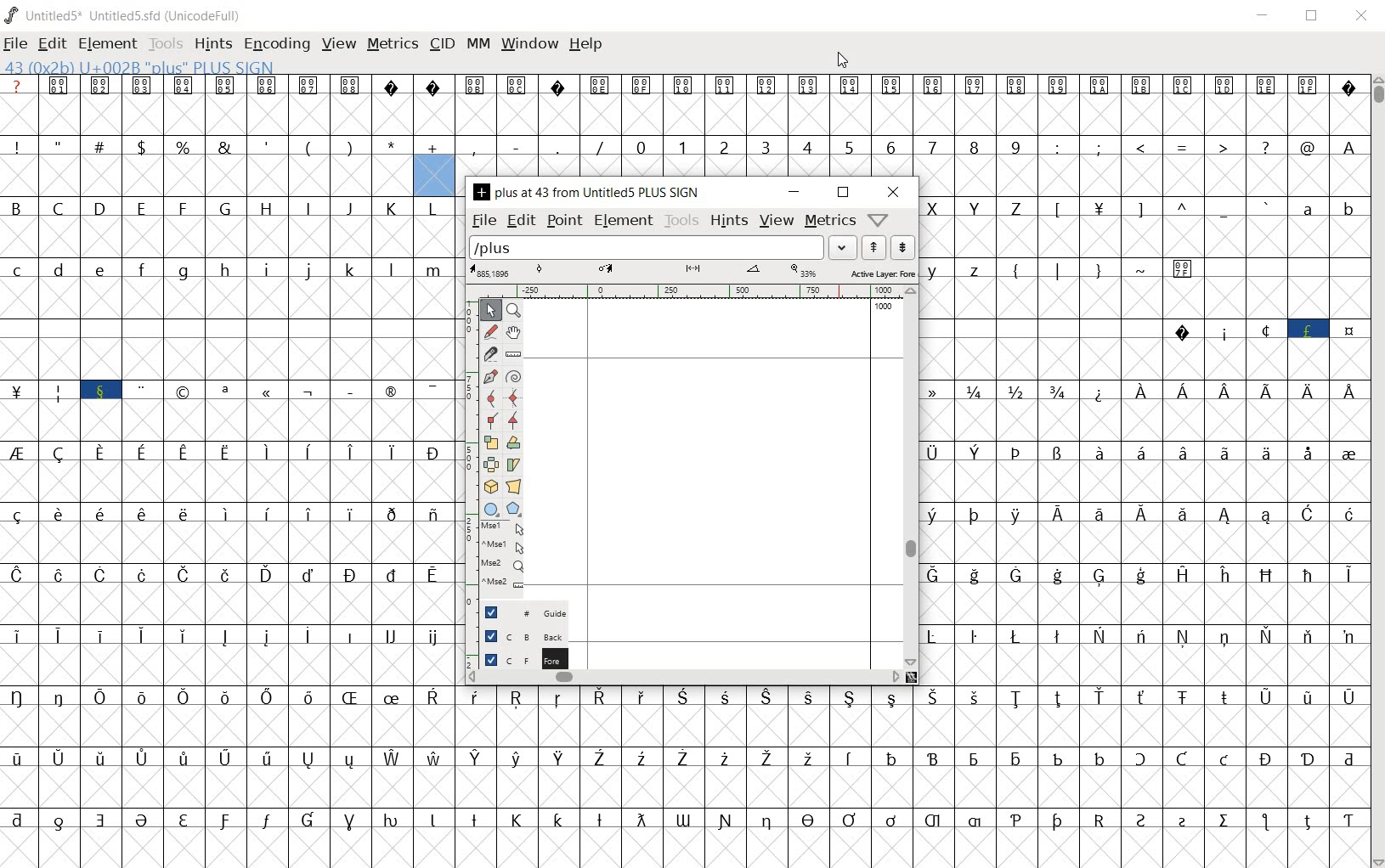  I want to click on load word list, so click(663, 249).